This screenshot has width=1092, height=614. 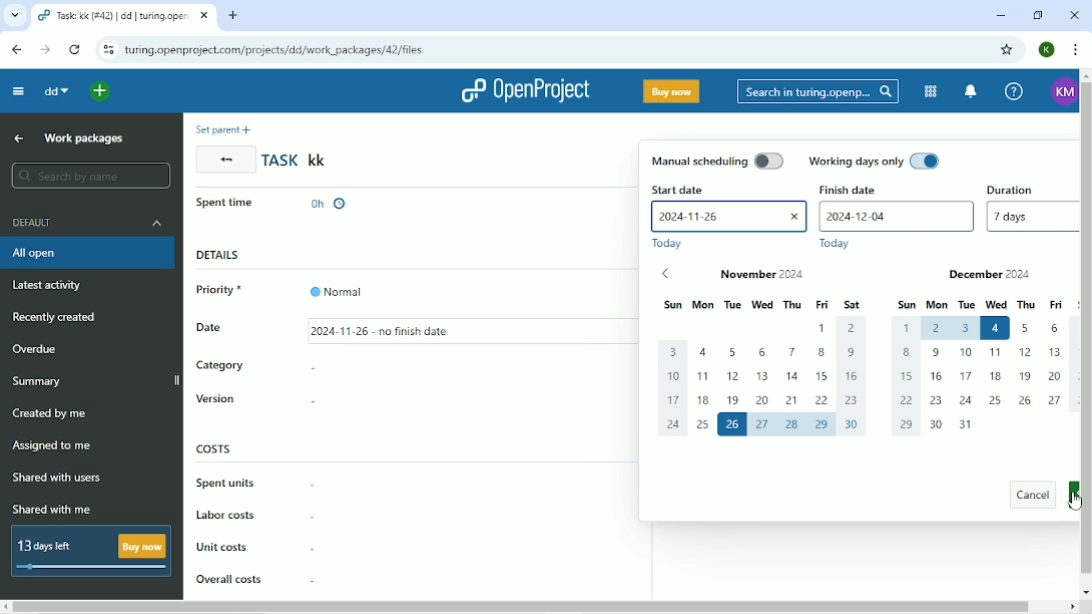 What do you see at coordinates (19, 138) in the screenshot?
I see `Up` at bounding box center [19, 138].